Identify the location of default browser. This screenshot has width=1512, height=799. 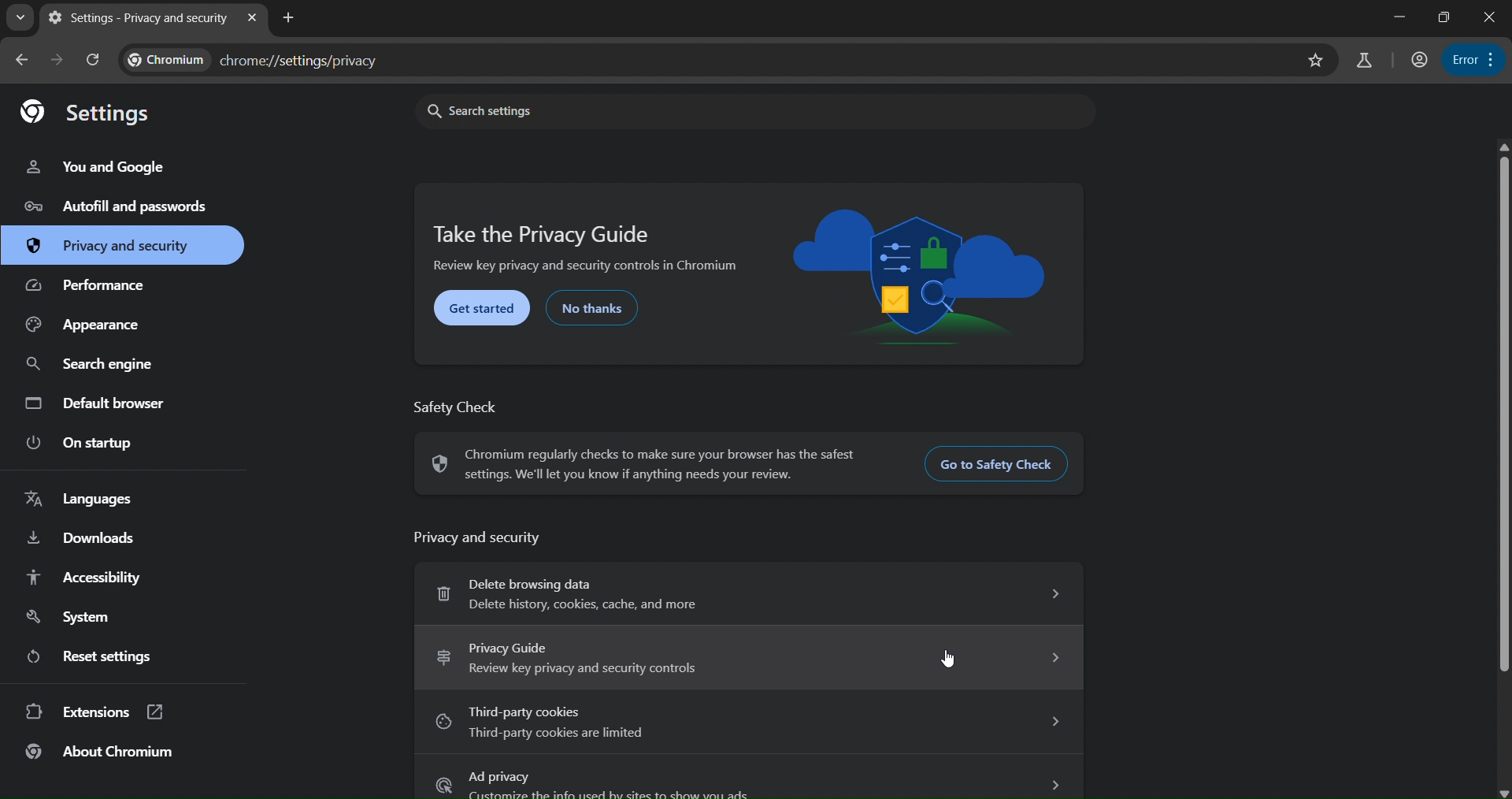
(101, 407).